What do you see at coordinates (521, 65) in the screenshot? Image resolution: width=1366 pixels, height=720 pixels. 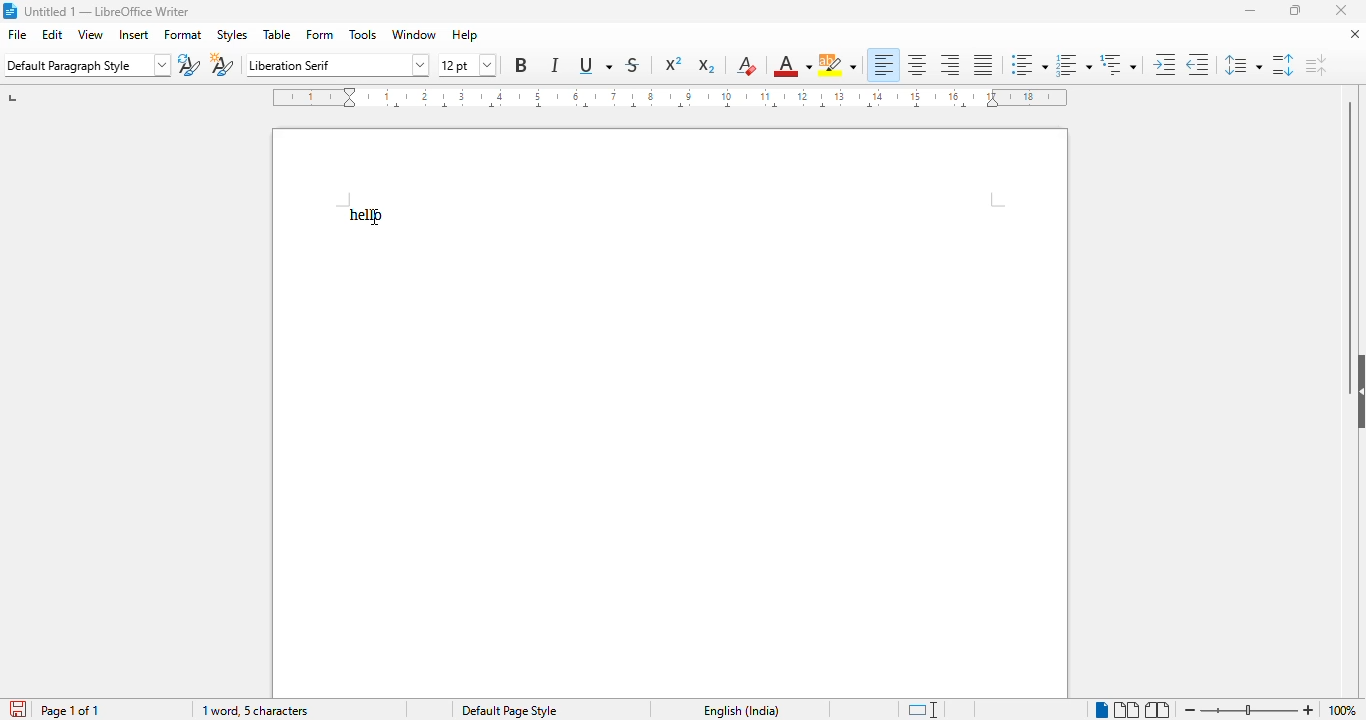 I see `bold` at bounding box center [521, 65].